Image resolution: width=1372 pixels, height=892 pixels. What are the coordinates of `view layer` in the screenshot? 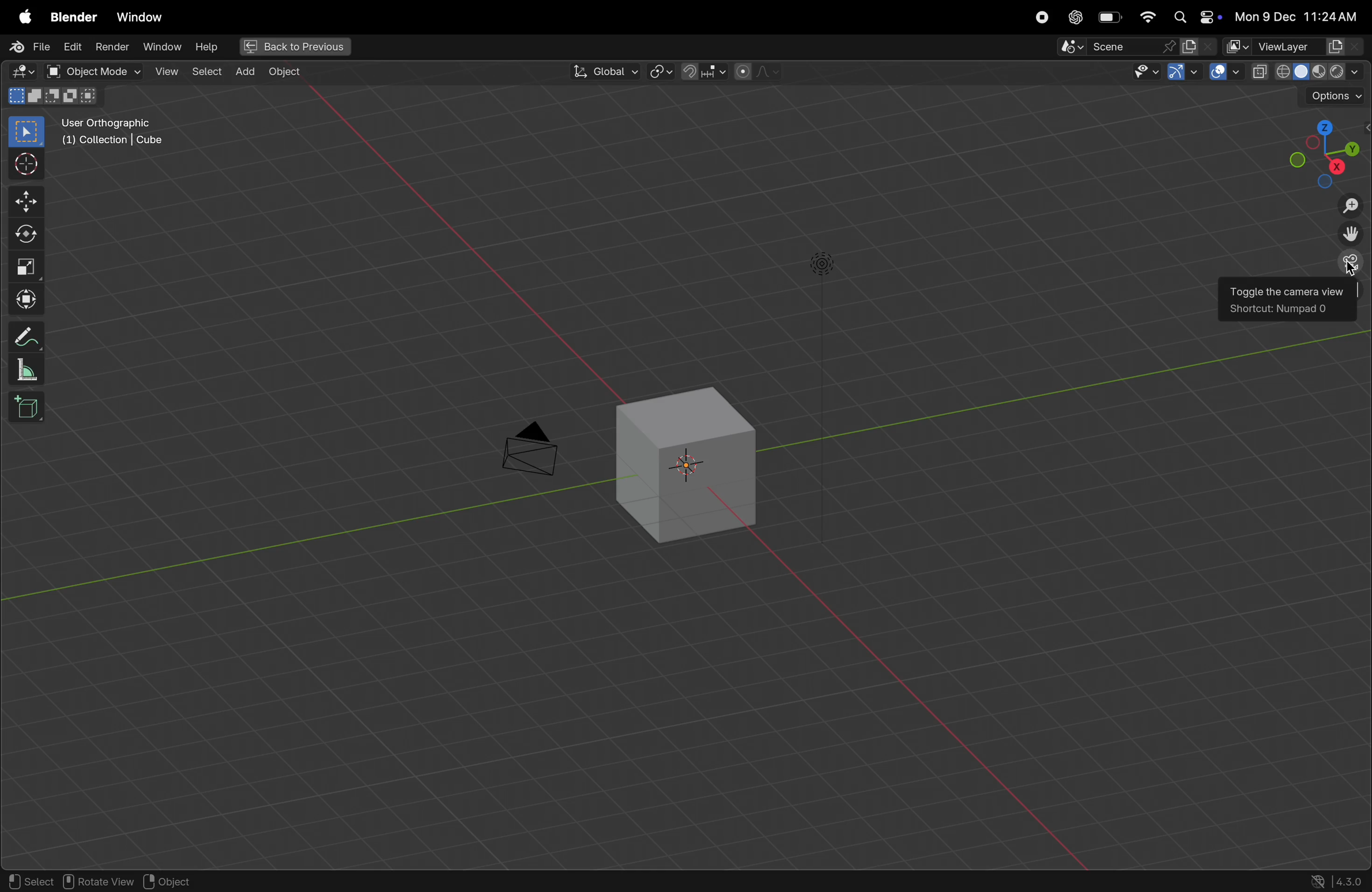 It's located at (1296, 46).